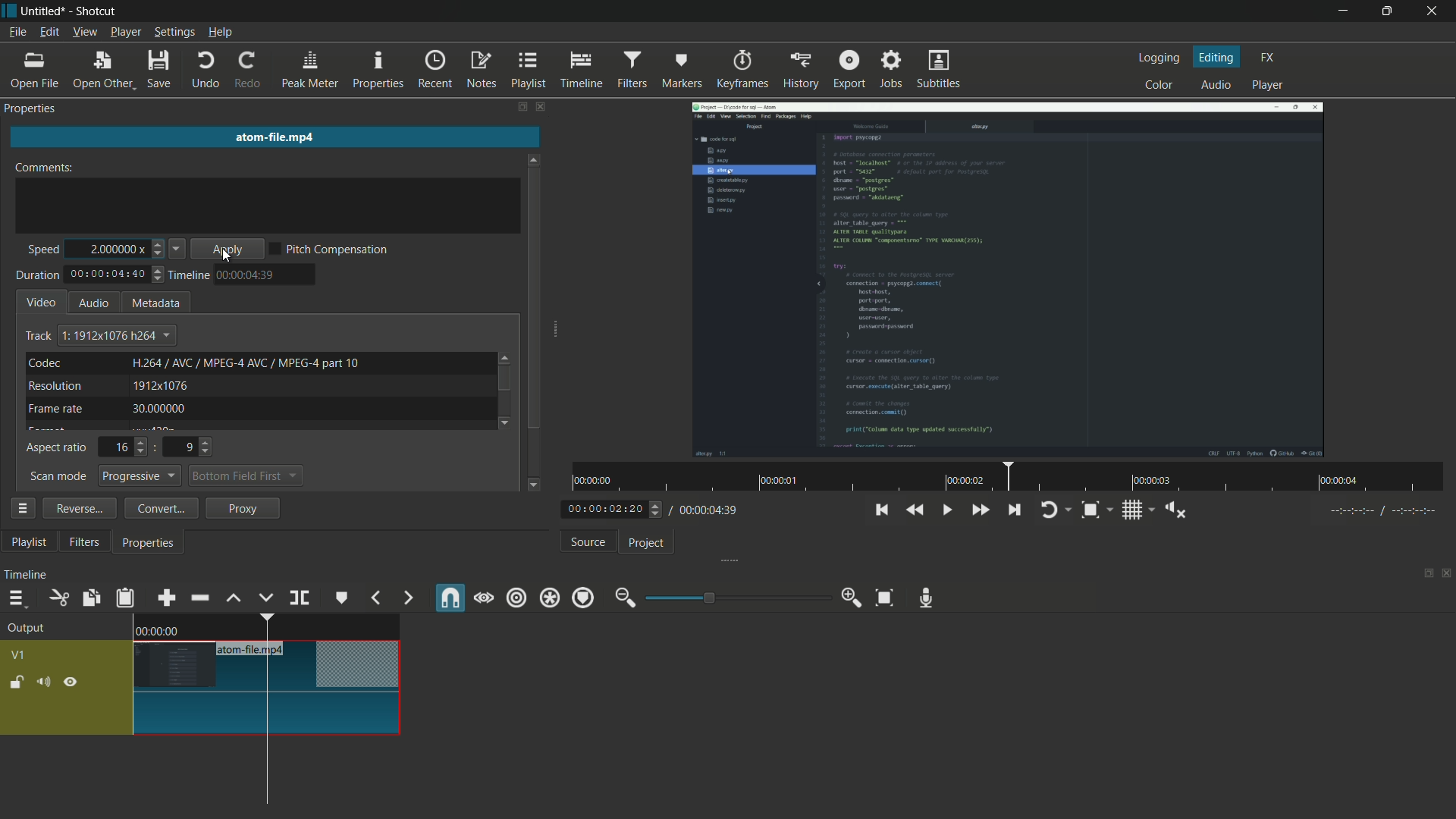 This screenshot has height=819, width=1456. Describe the element at coordinates (607, 510) in the screenshot. I see `current time` at that location.